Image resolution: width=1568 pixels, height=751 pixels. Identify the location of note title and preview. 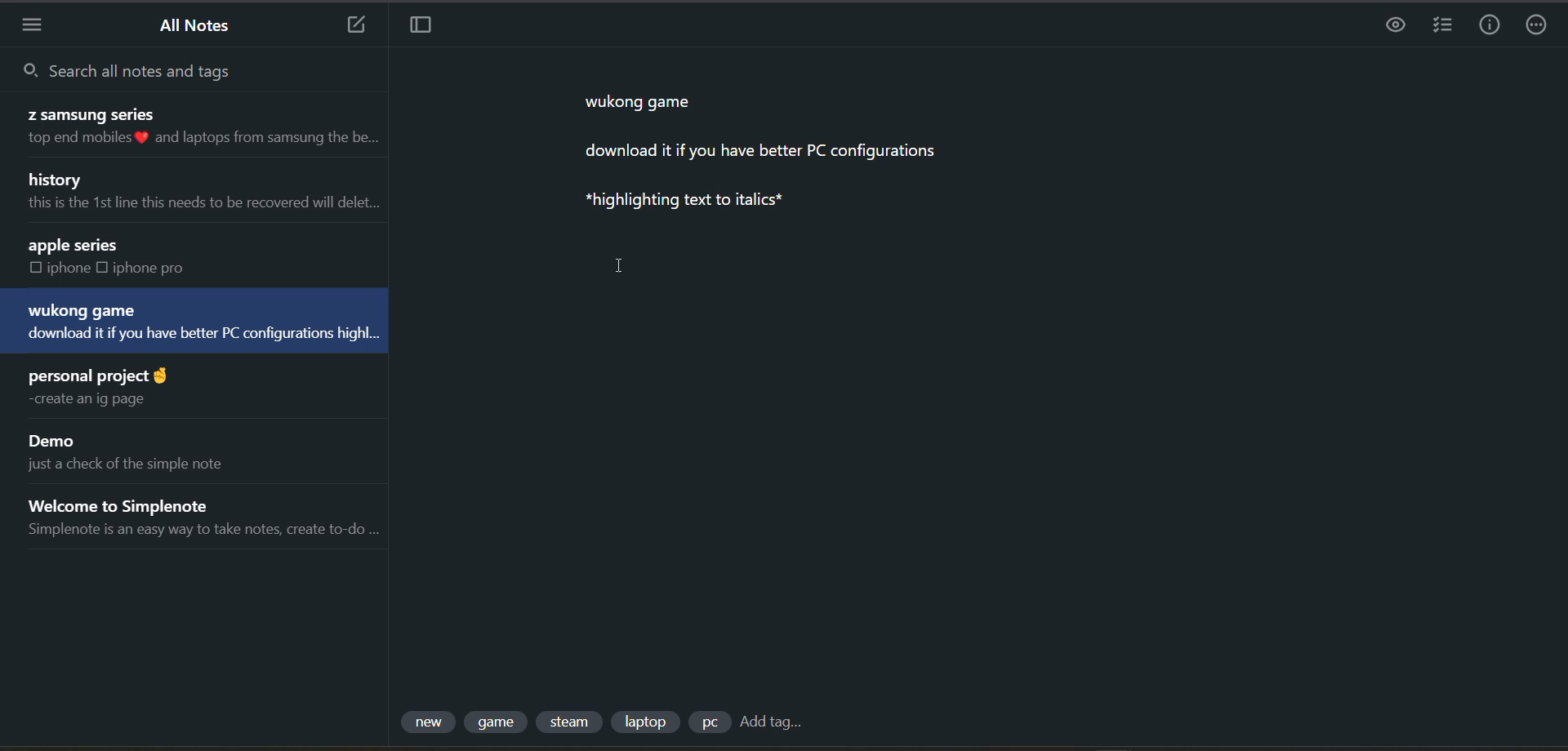
(204, 520).